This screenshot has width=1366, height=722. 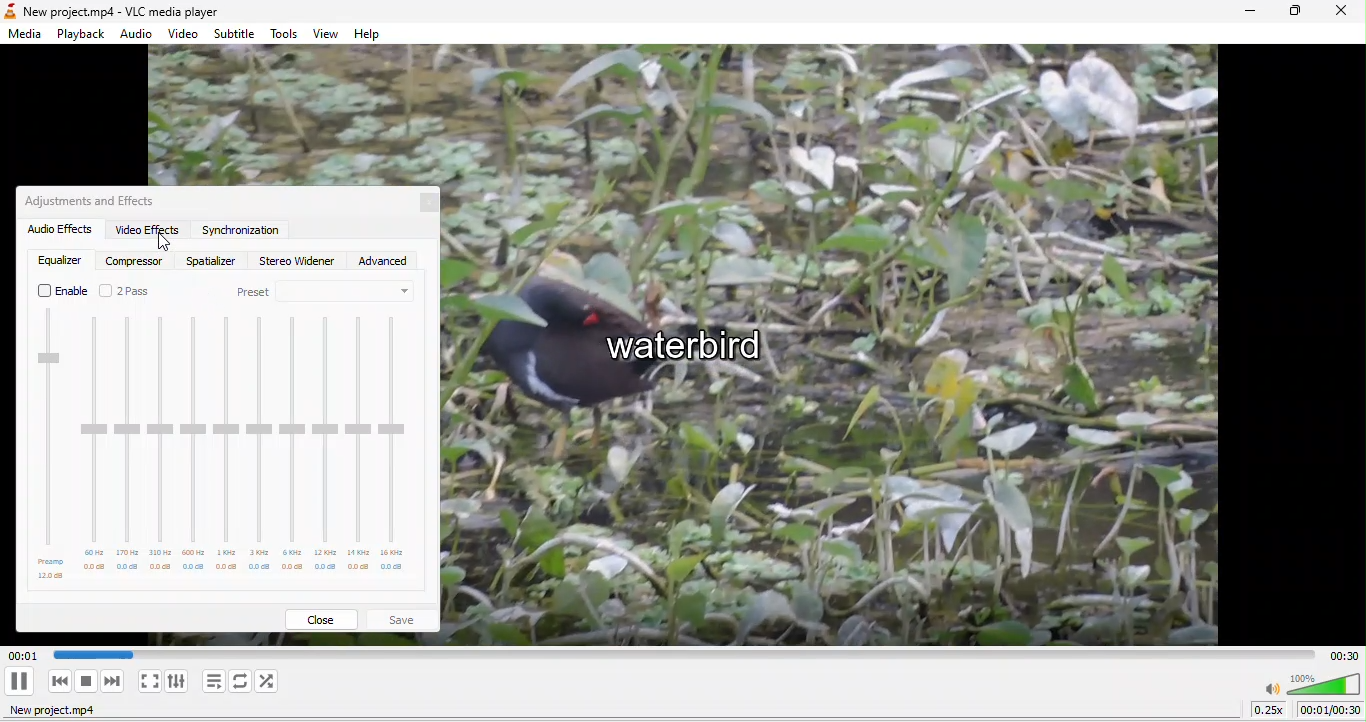 I want to click on cursor movement, so click(x=166, y=244).